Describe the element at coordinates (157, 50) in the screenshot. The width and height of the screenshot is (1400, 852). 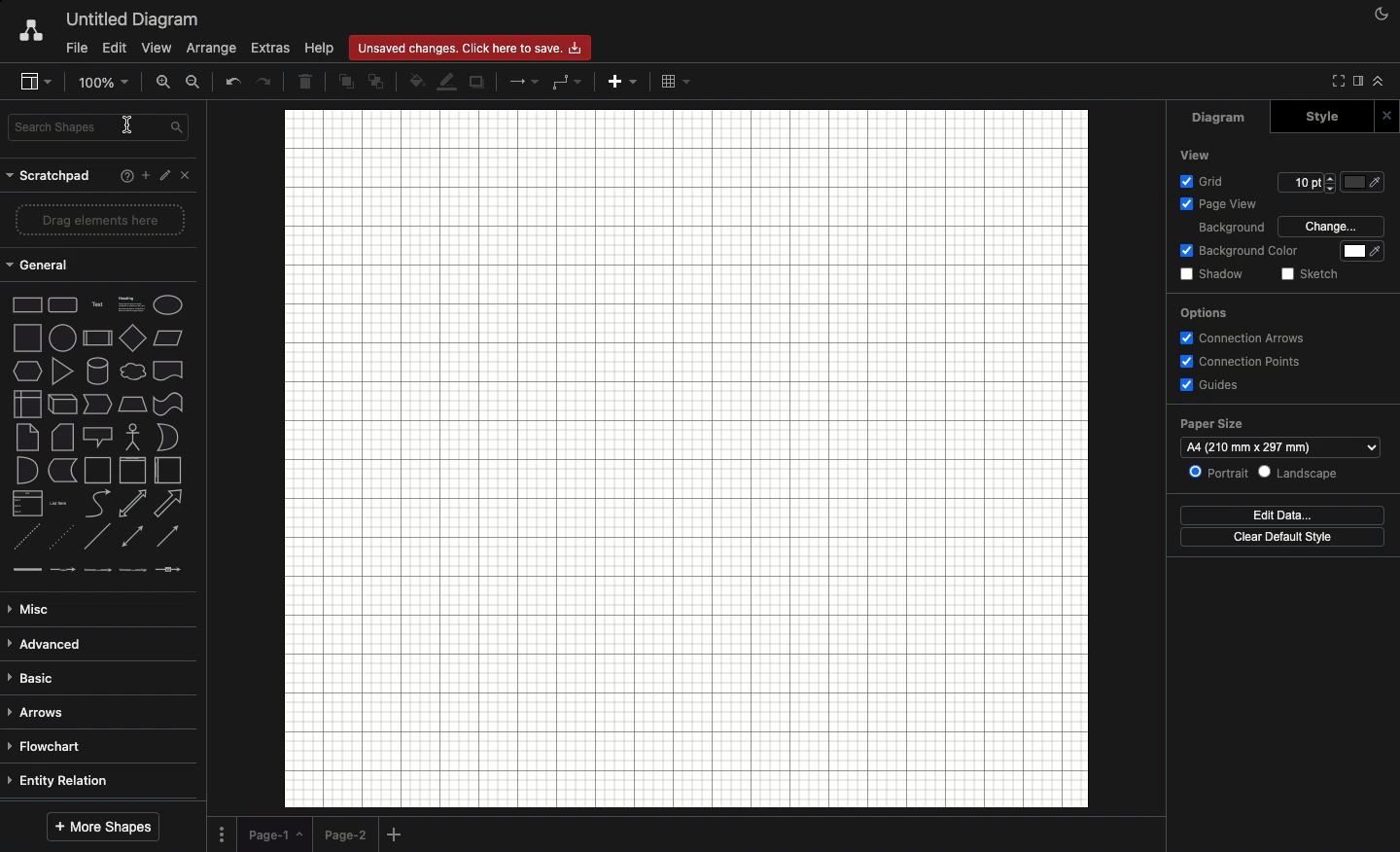
I see `View` at that location.